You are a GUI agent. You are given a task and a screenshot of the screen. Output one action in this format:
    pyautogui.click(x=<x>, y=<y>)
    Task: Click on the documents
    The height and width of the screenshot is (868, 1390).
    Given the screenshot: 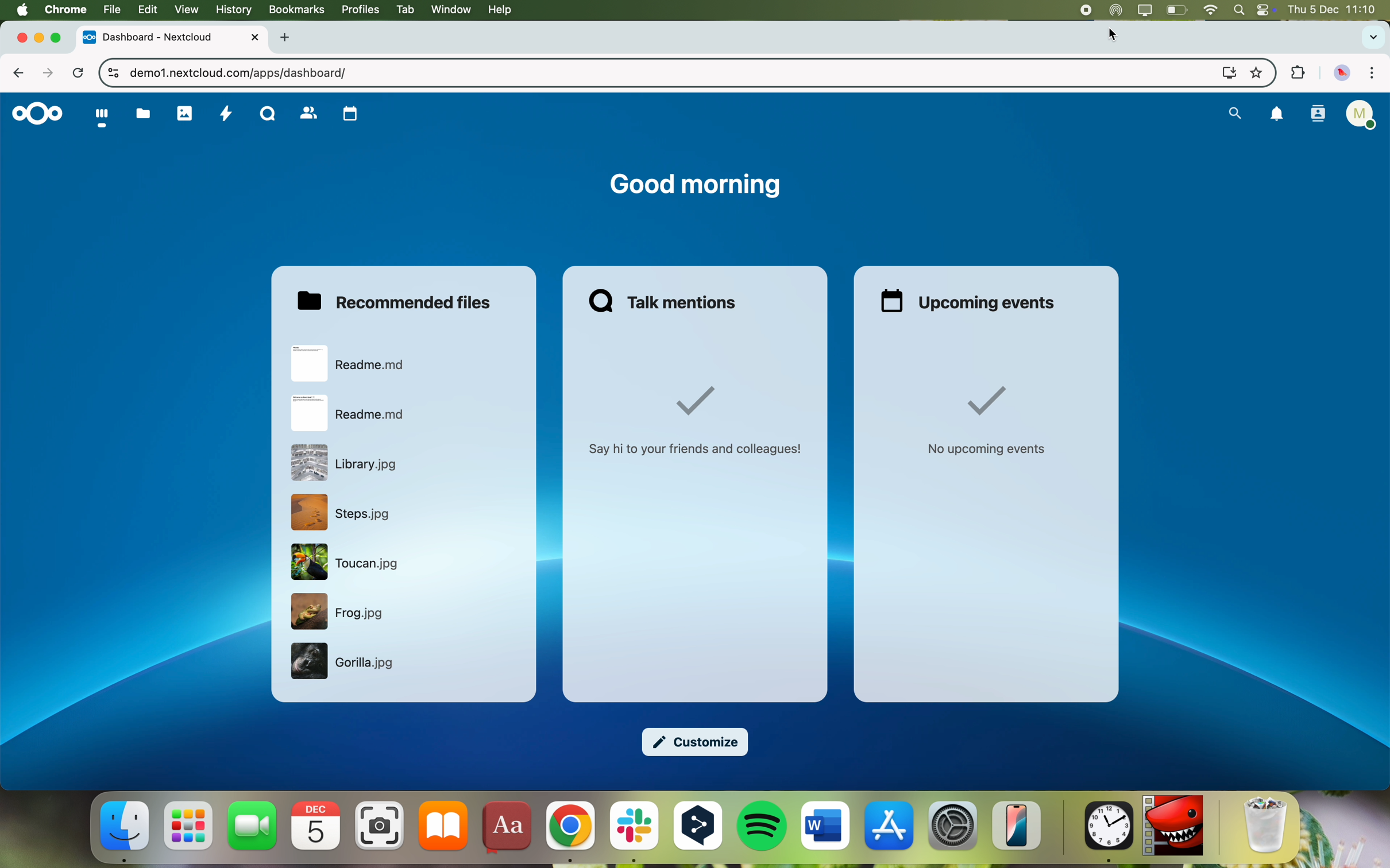 What is the action you would take?
    pyautogui.click(x=142, y=114)
    